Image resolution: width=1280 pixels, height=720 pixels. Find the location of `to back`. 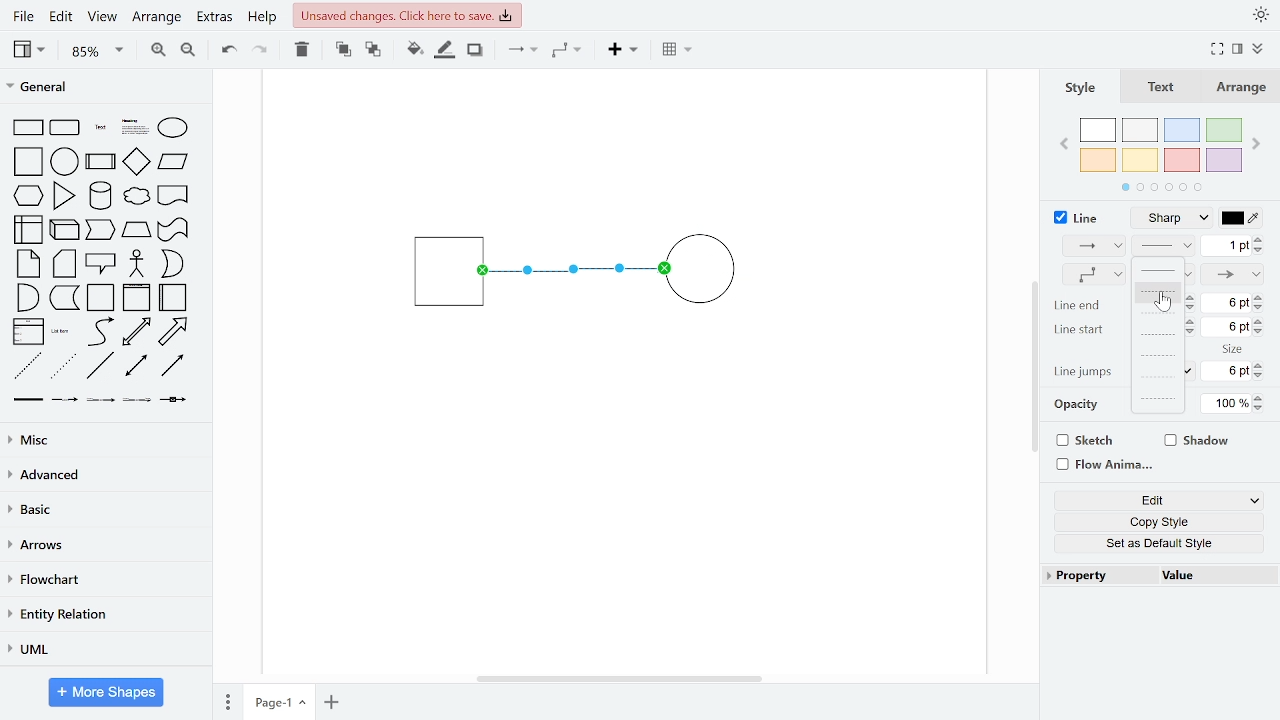

to back is located at coordinates (374, 51).